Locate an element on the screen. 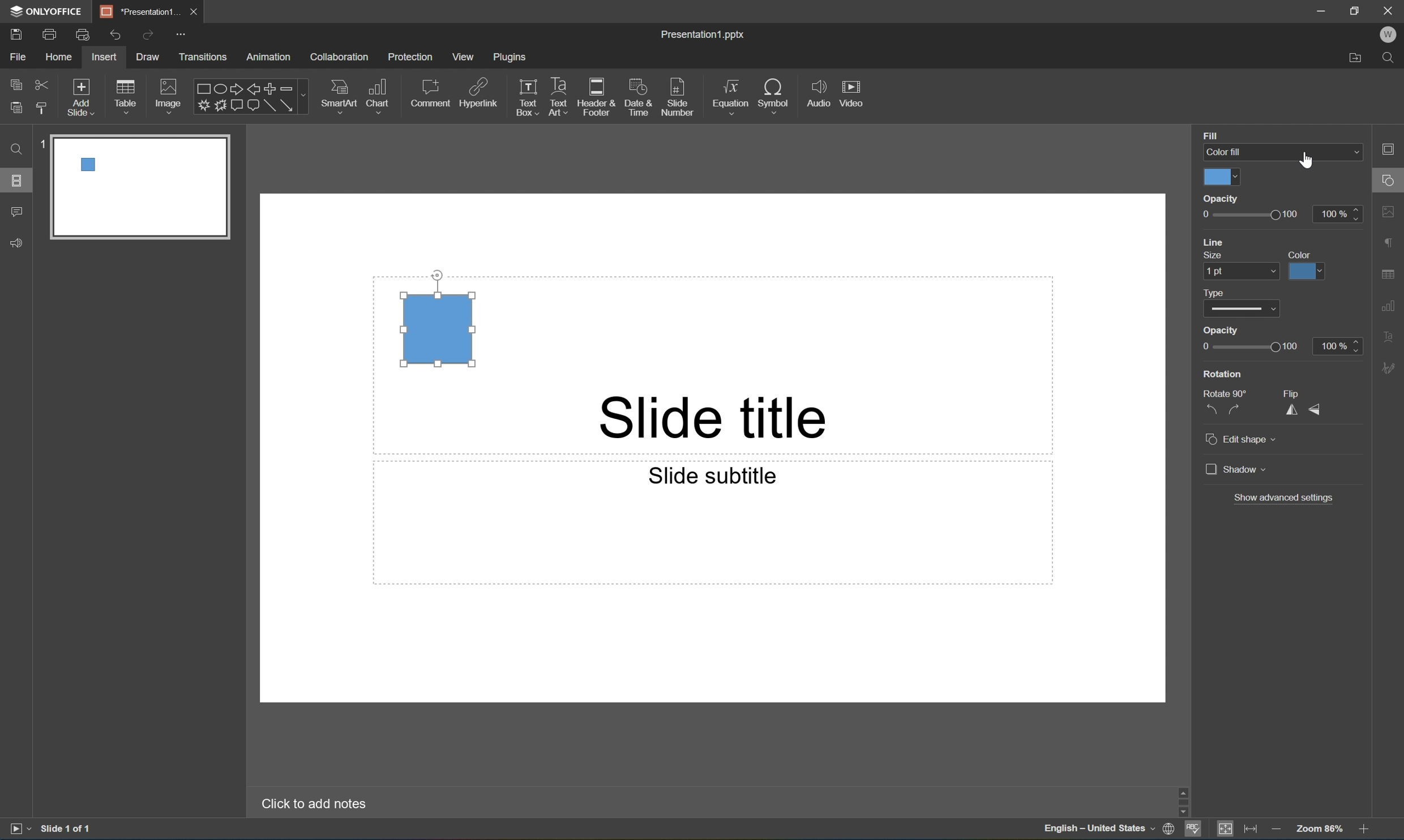  Color fill is located at coordinates (1224, 152).